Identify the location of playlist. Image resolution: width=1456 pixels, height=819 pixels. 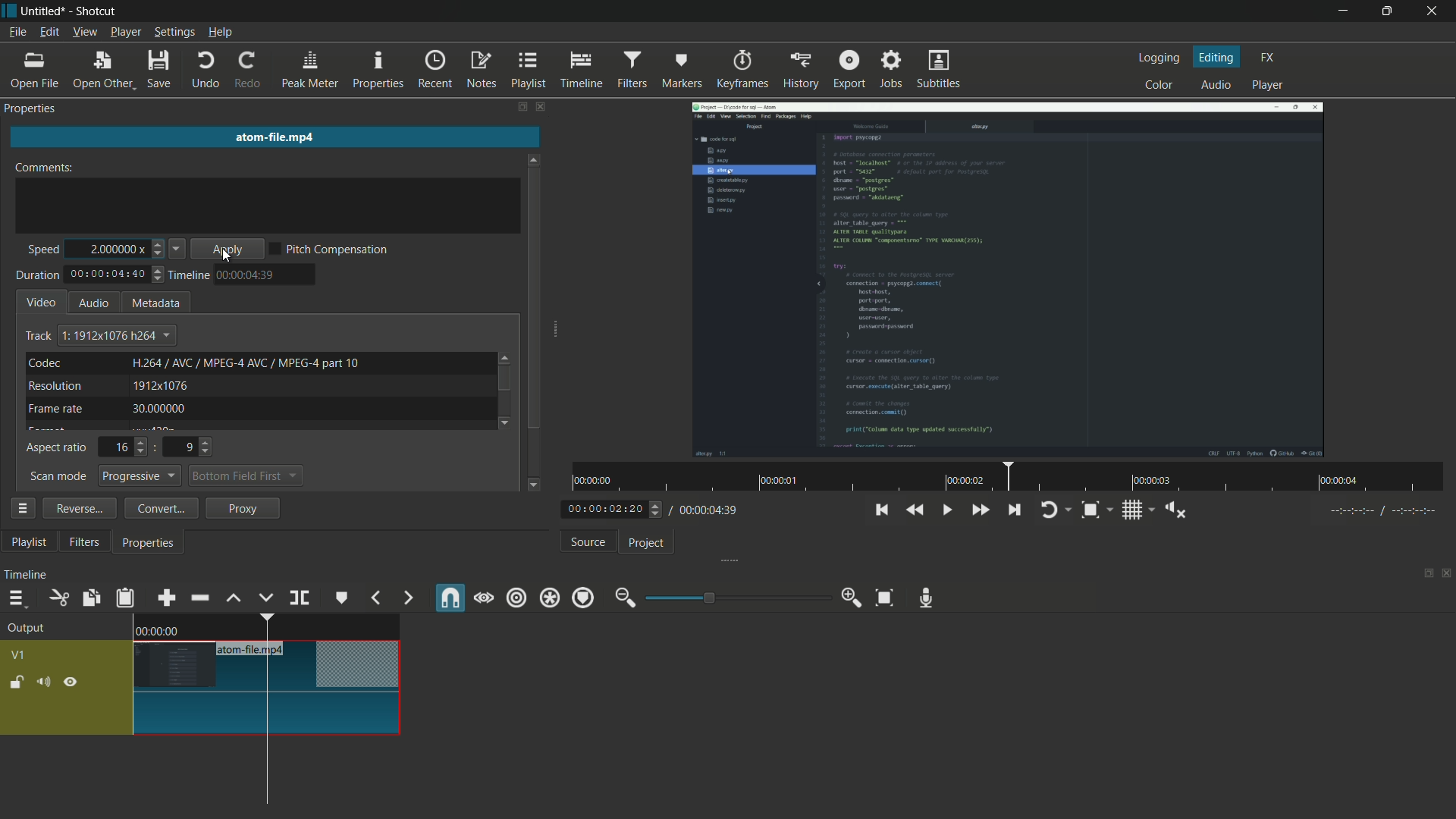
(527, 71).